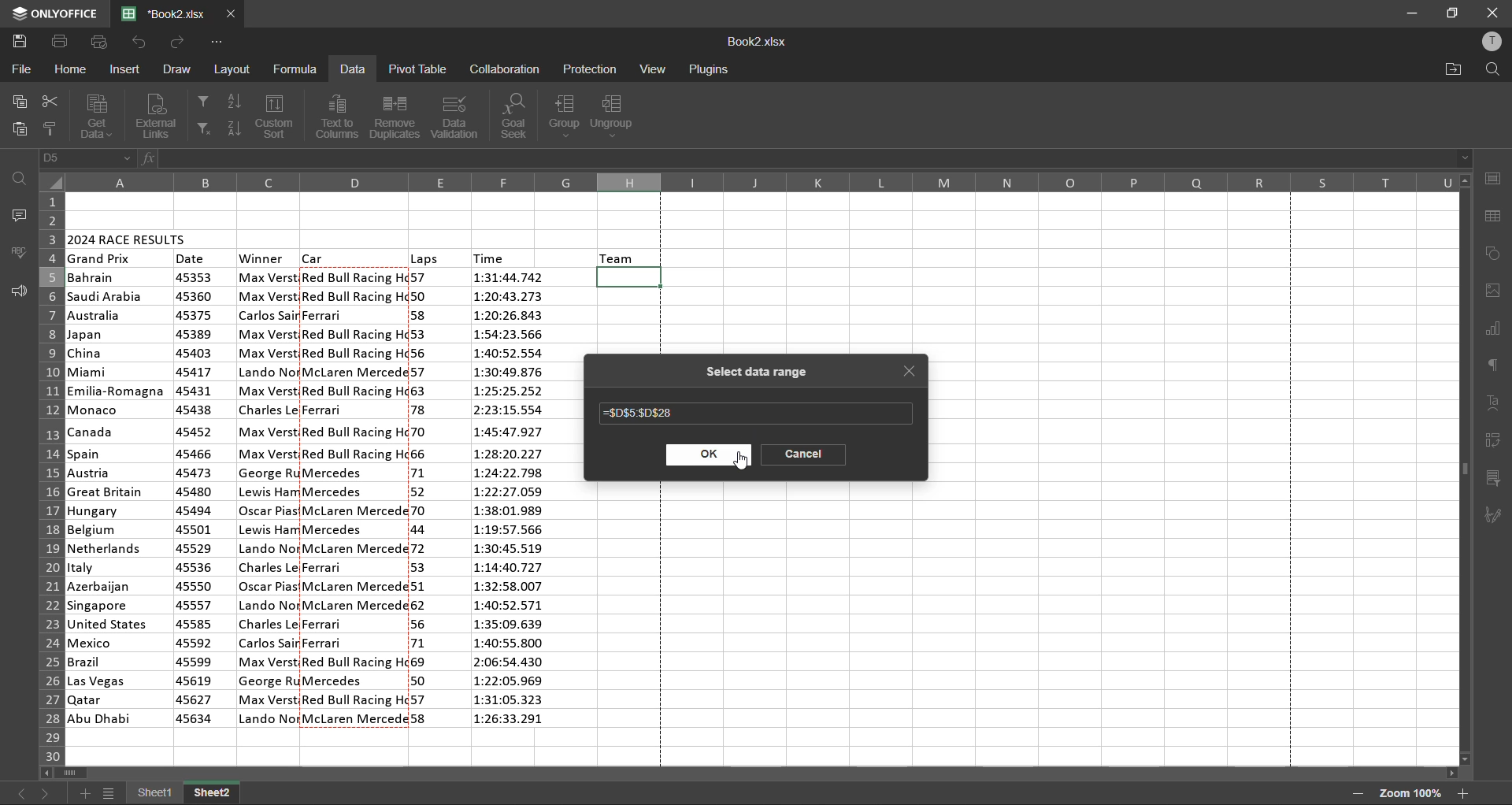 The image size is (1512, 805). What do you see at coordinates (1411, 14) in the screenshot?
I see `minimize` at bounding box center [1411, 14].